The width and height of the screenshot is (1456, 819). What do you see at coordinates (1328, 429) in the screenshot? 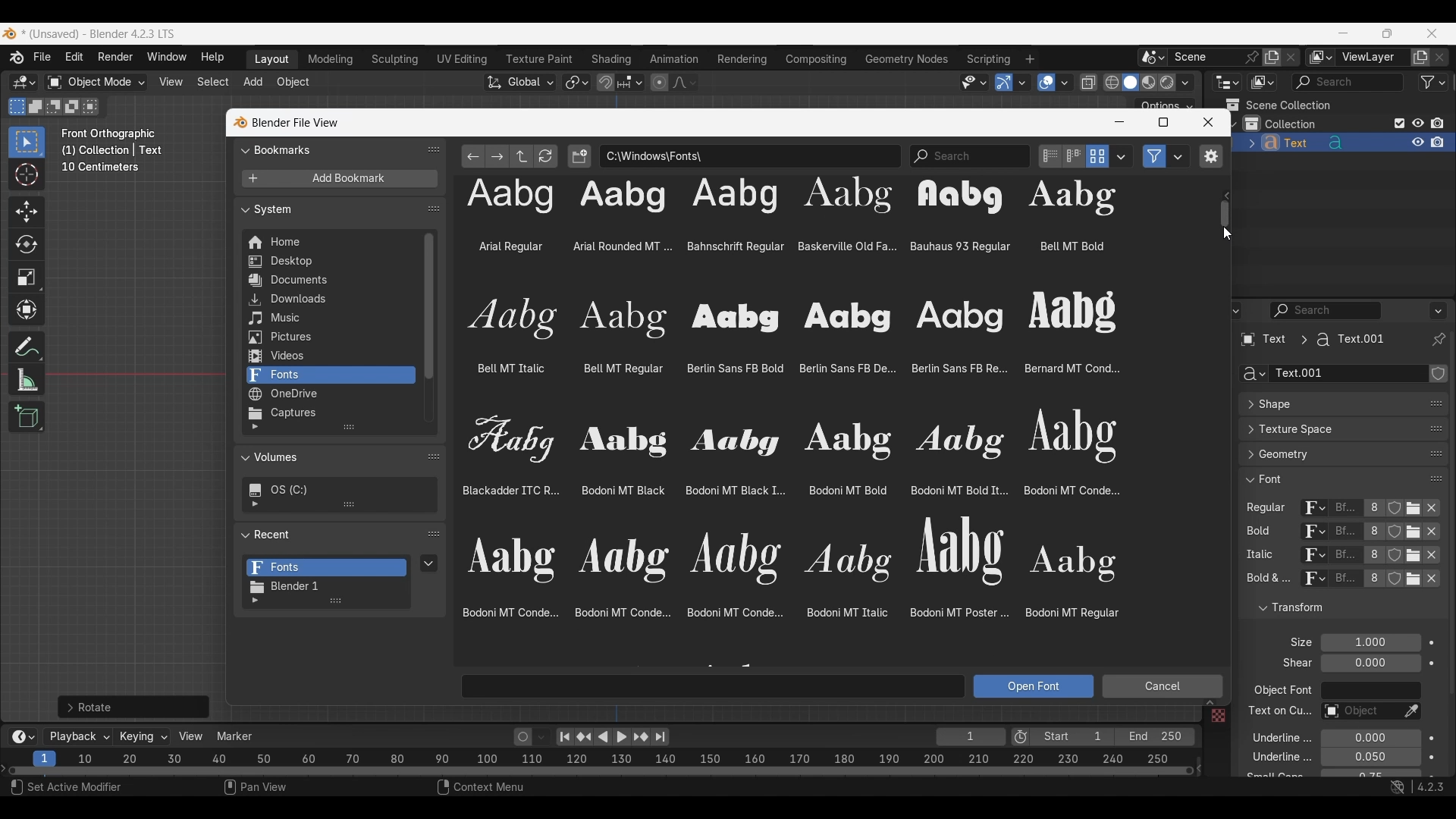
I see `Click to expand Texture Space` at bounding box center [1328, 429].